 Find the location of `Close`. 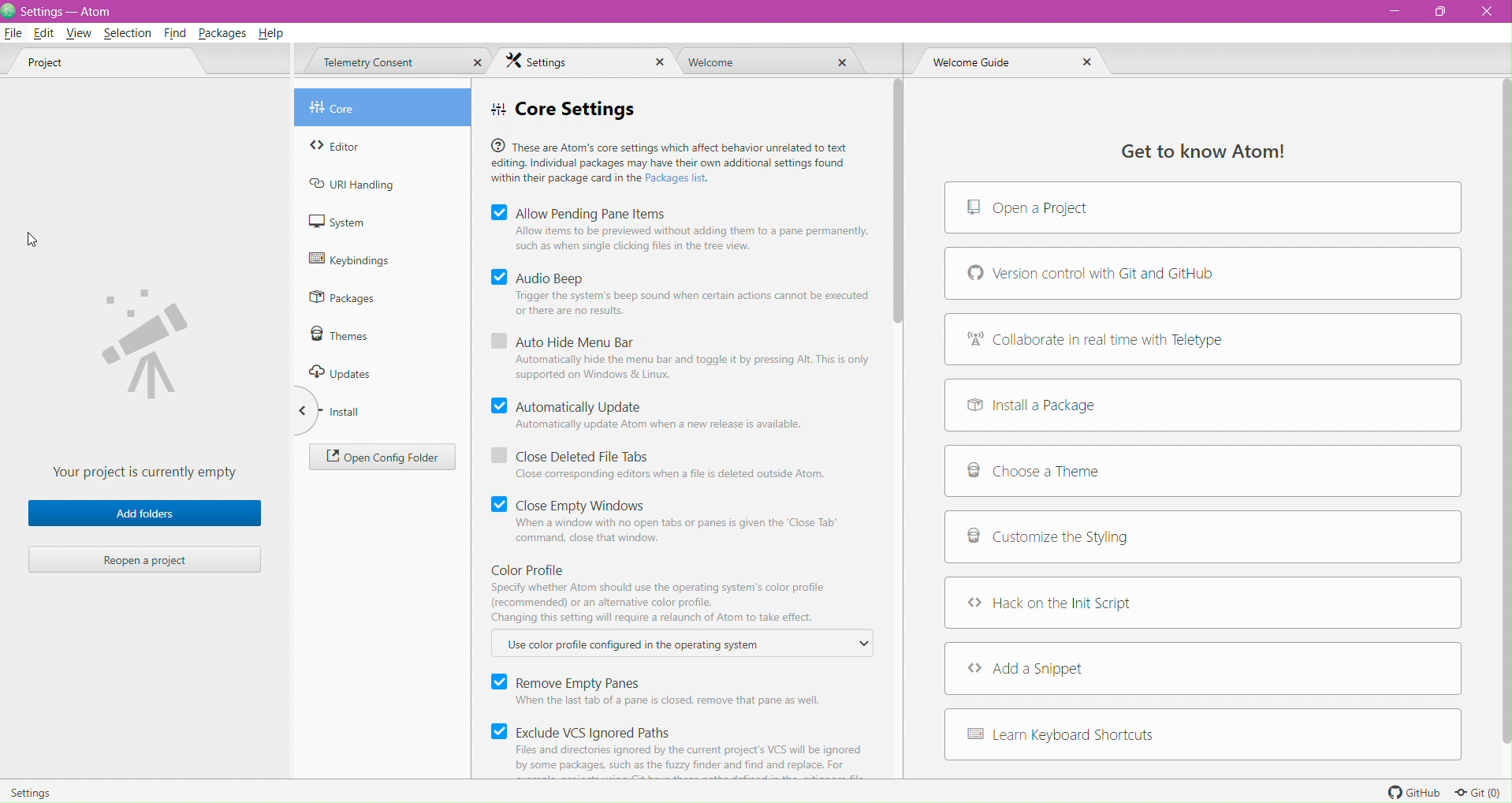

Close is located at coordinates (1488, 12).